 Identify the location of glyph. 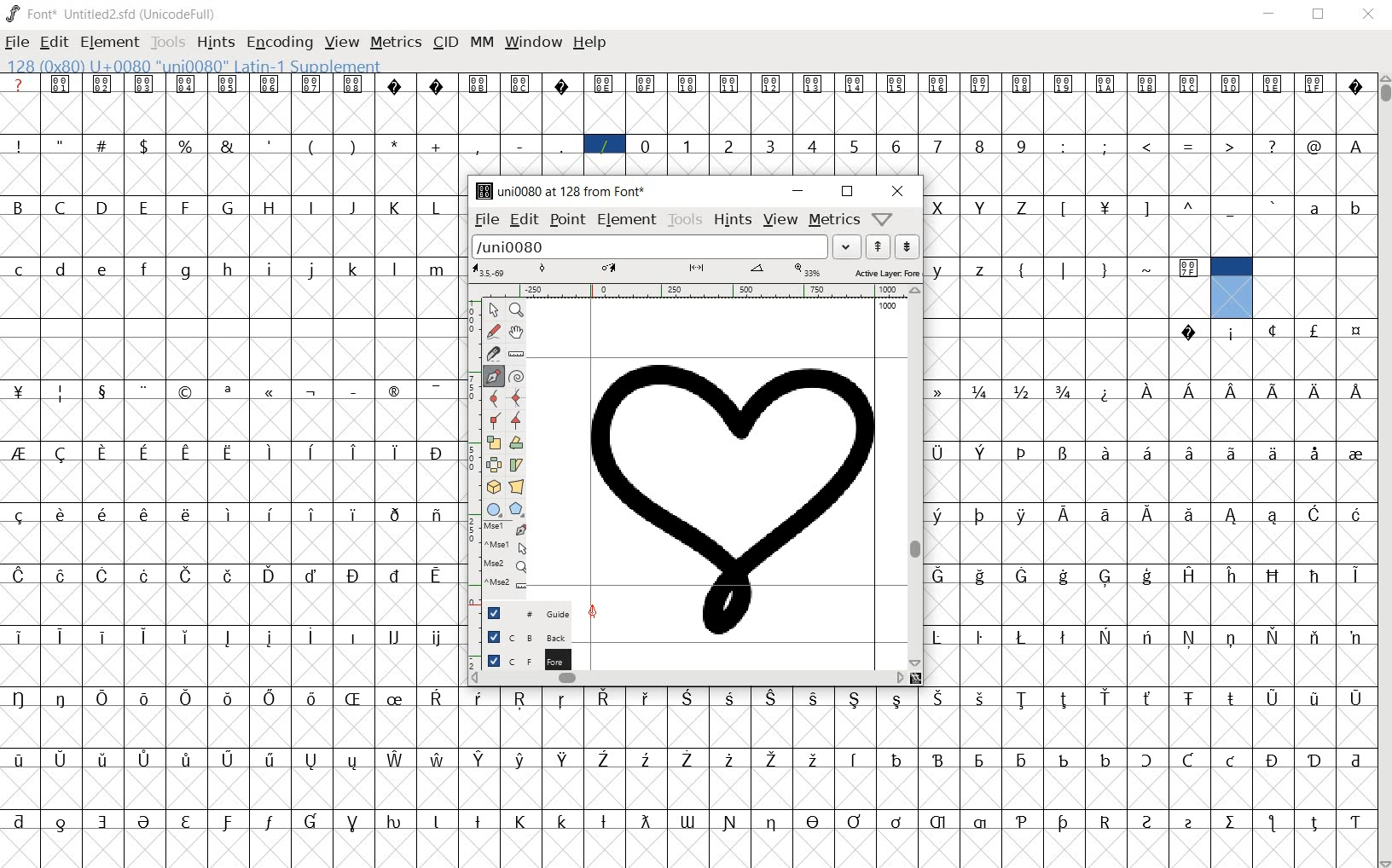
(395, 453).